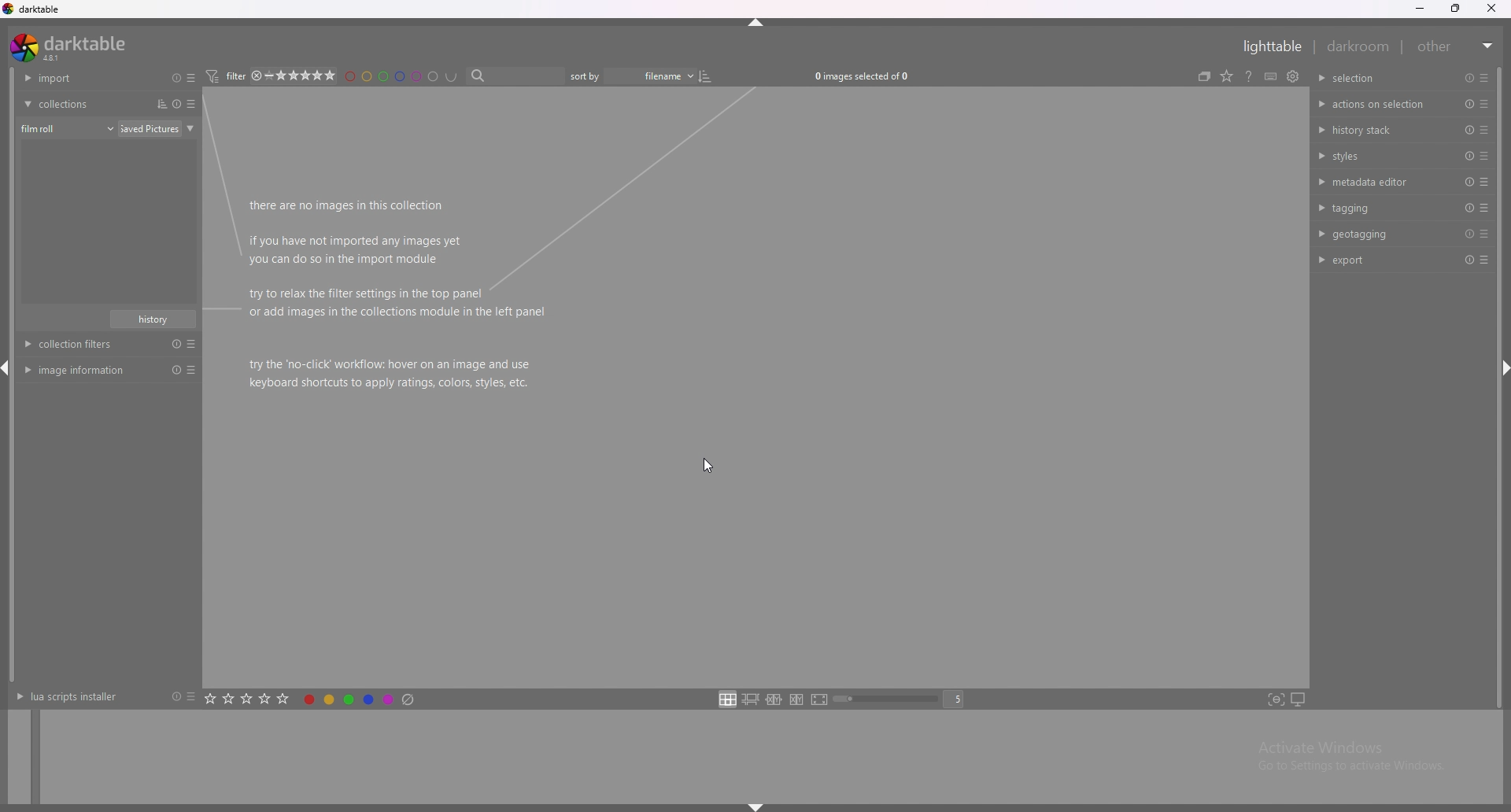  I want to click on minimize, so click(1420, 9).